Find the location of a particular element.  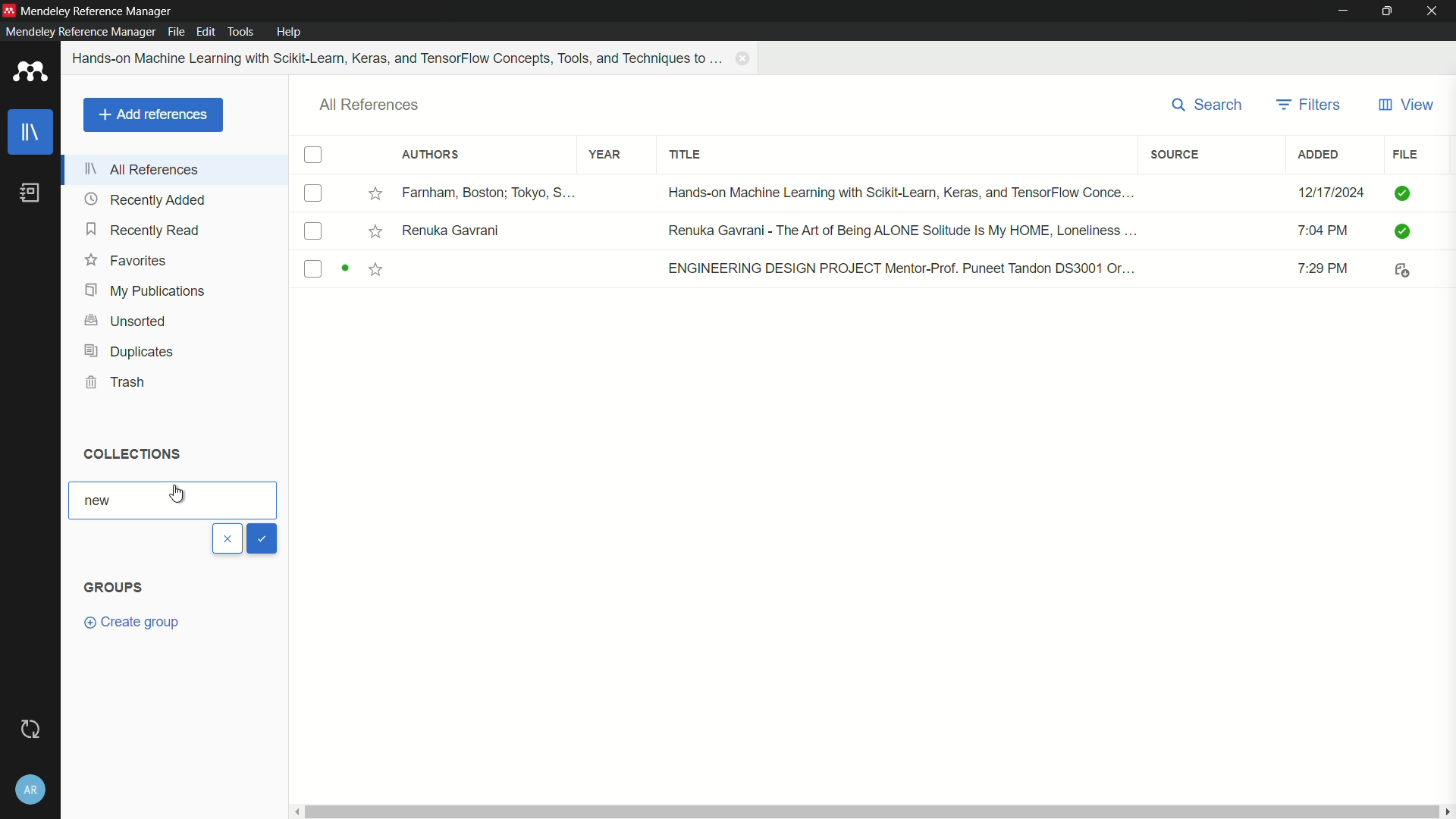

added is located at coordinates (1319, 155).